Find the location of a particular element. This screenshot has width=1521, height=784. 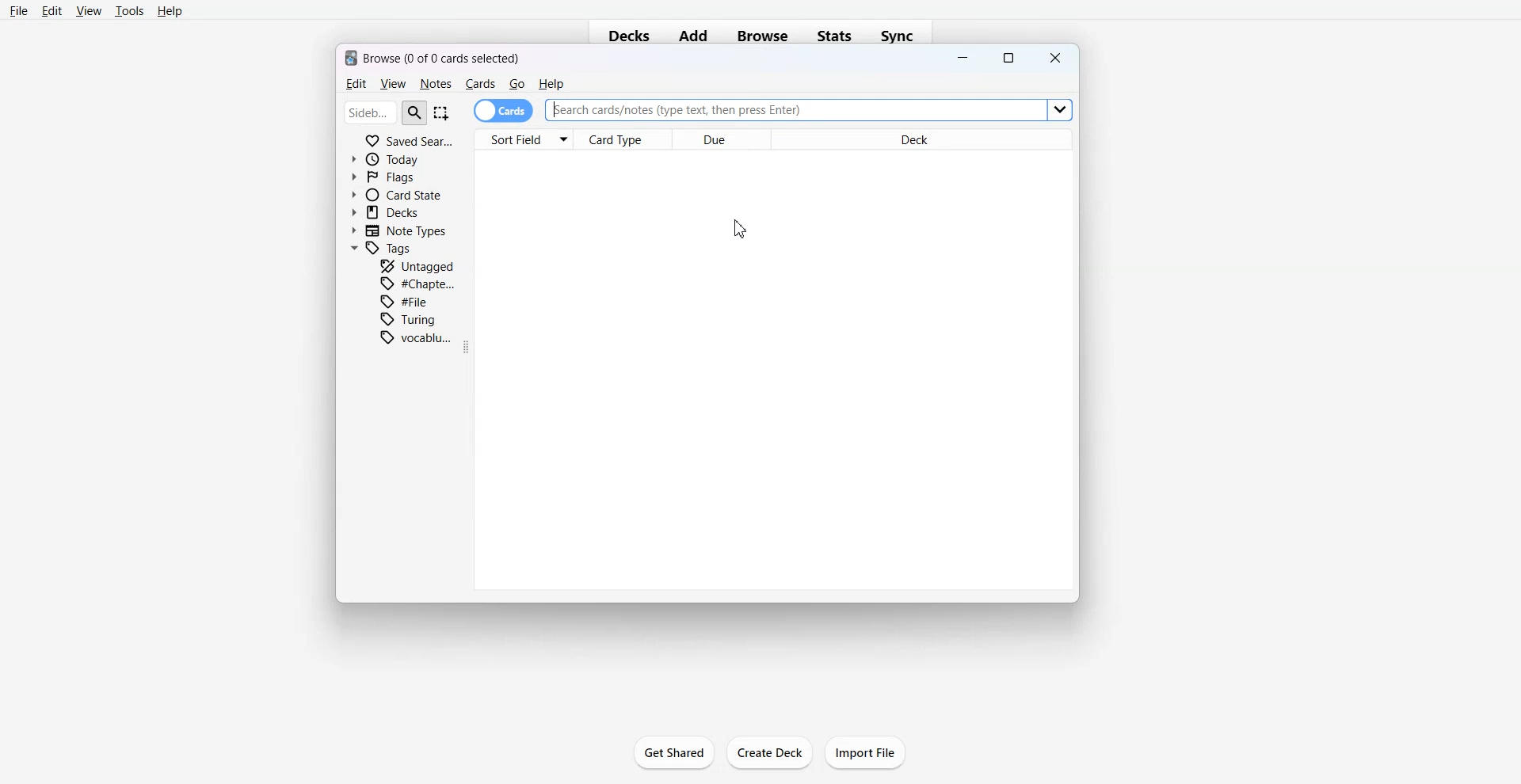

Help is located at coordinates (170, 12).